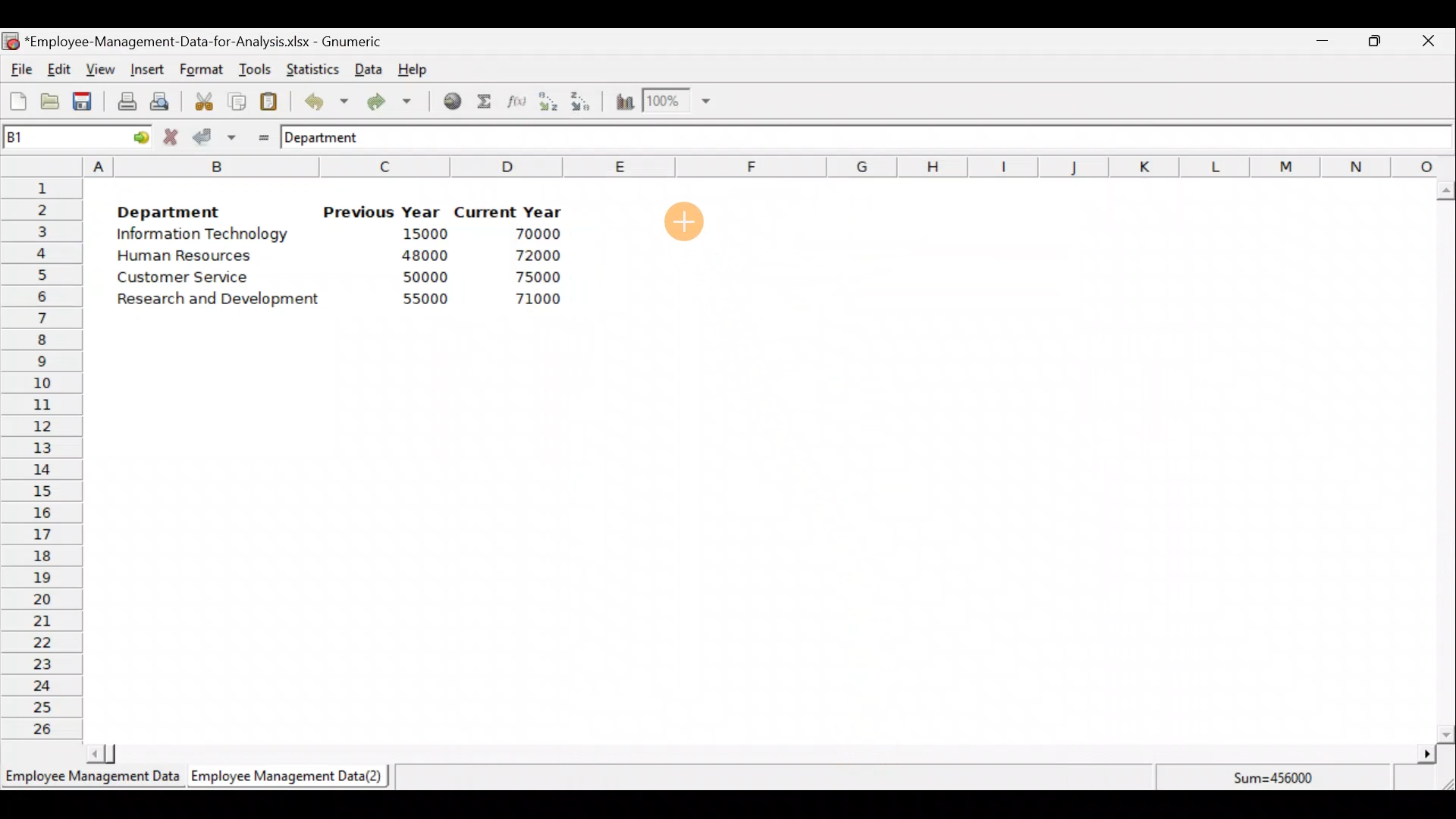  I want to click on Cursor on cell, so click(684, 218).